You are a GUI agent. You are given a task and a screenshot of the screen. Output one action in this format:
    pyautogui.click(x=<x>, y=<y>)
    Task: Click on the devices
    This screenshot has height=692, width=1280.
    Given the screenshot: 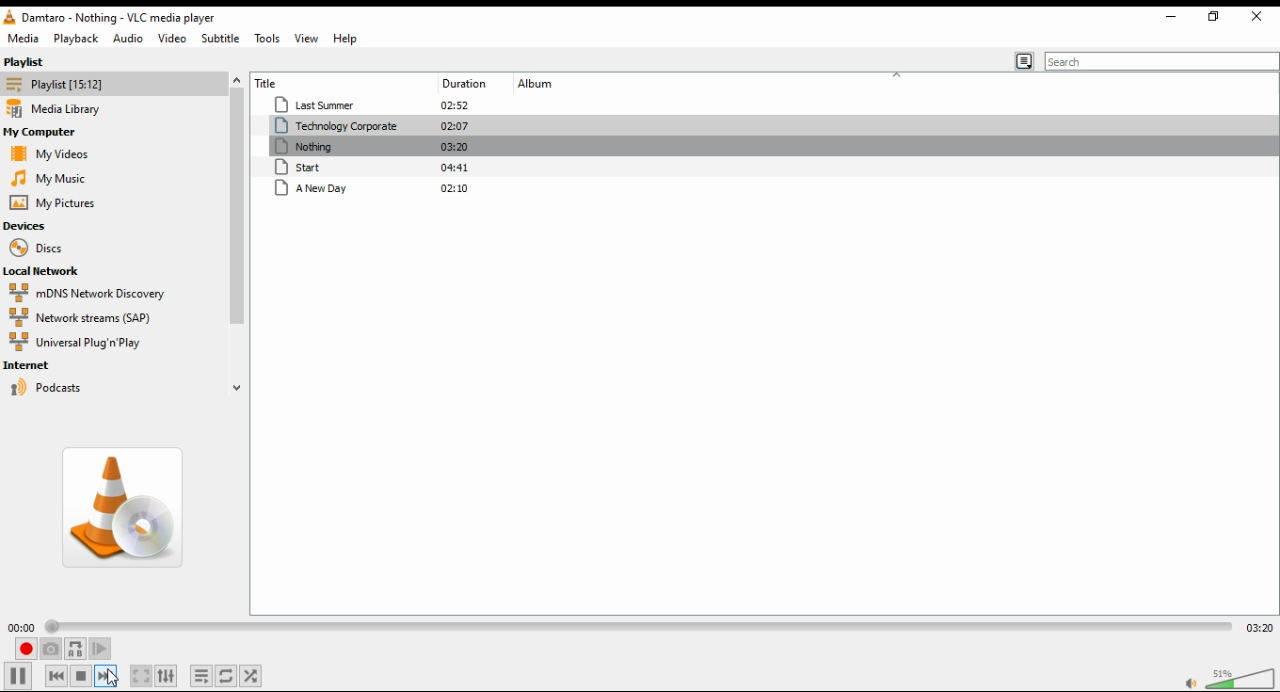 What is the action you would take?
    pyautogui.click(x=35, y=225)
    